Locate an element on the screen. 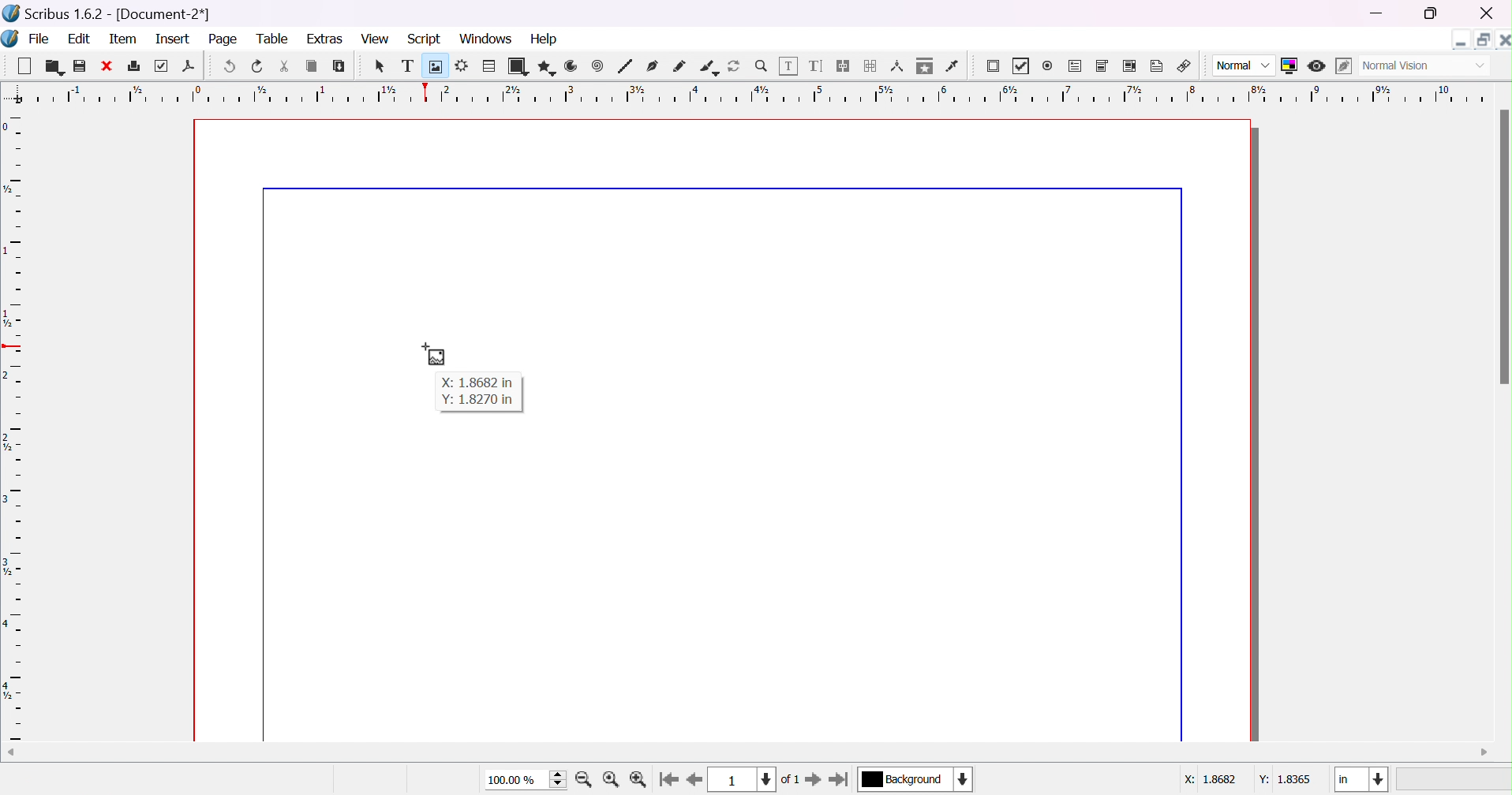 The width and height of the screenshot is (1512, 795). open is located at coordinates (51, 67).